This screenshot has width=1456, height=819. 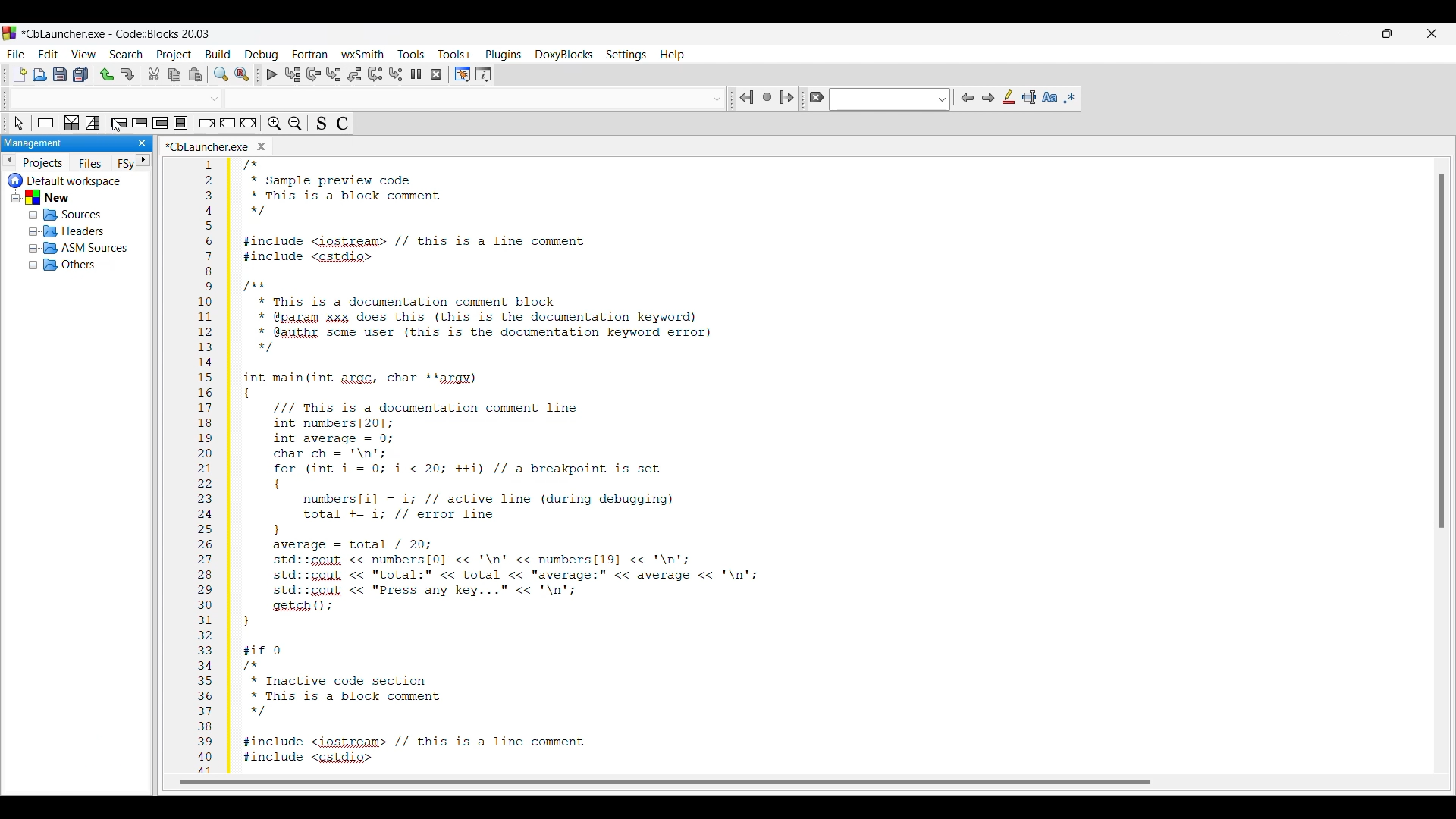 What do you see at coordinates (174, 74) in the screenshot?
I see `Copy` at bounding box center [174, 74].